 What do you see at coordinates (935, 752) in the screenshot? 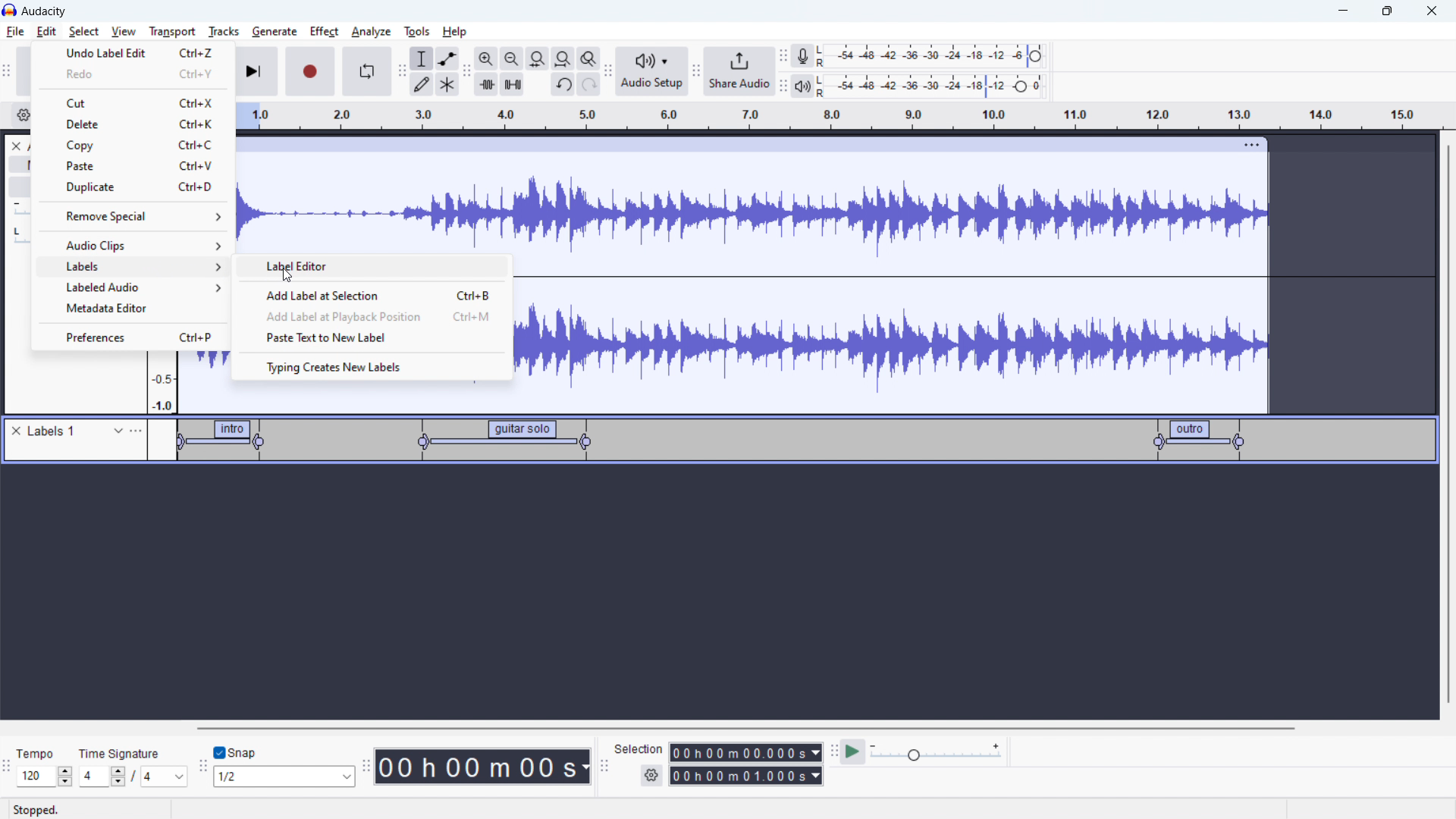
I see `playback speed` at bounding box center [935, 752].